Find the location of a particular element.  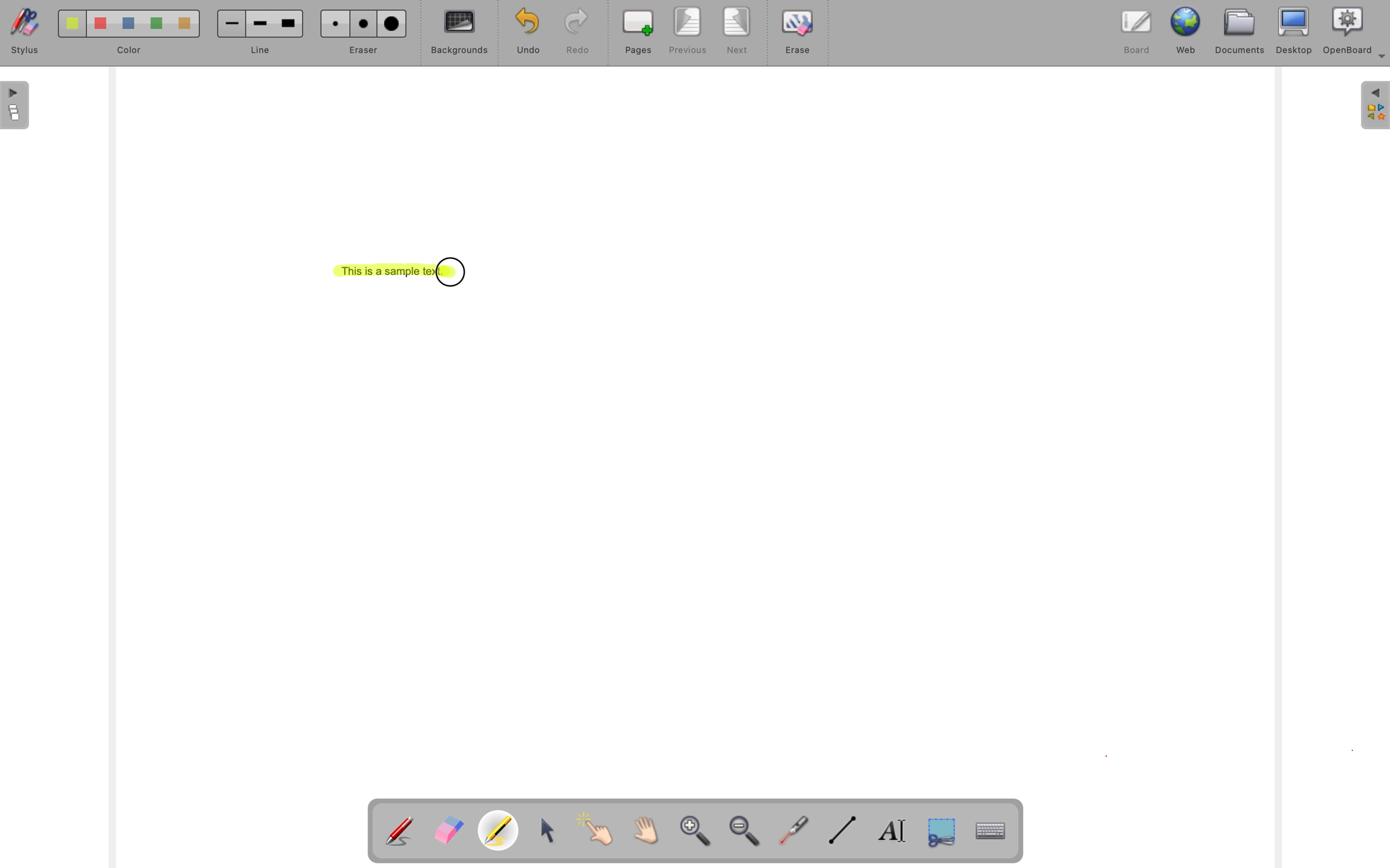

color is located at coordinates (130, 51).